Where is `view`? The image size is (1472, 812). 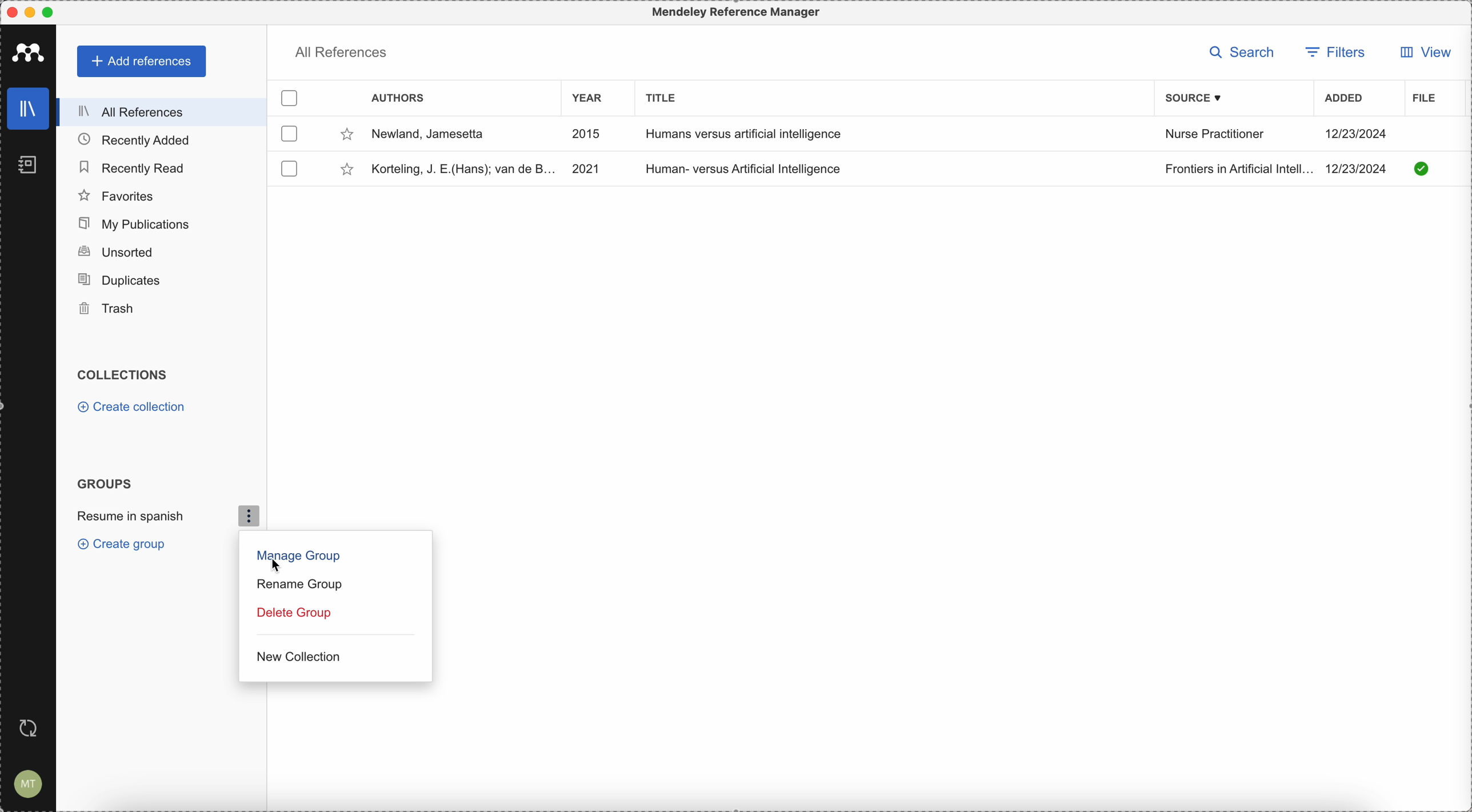 view is located at coordinates (1421, 55).